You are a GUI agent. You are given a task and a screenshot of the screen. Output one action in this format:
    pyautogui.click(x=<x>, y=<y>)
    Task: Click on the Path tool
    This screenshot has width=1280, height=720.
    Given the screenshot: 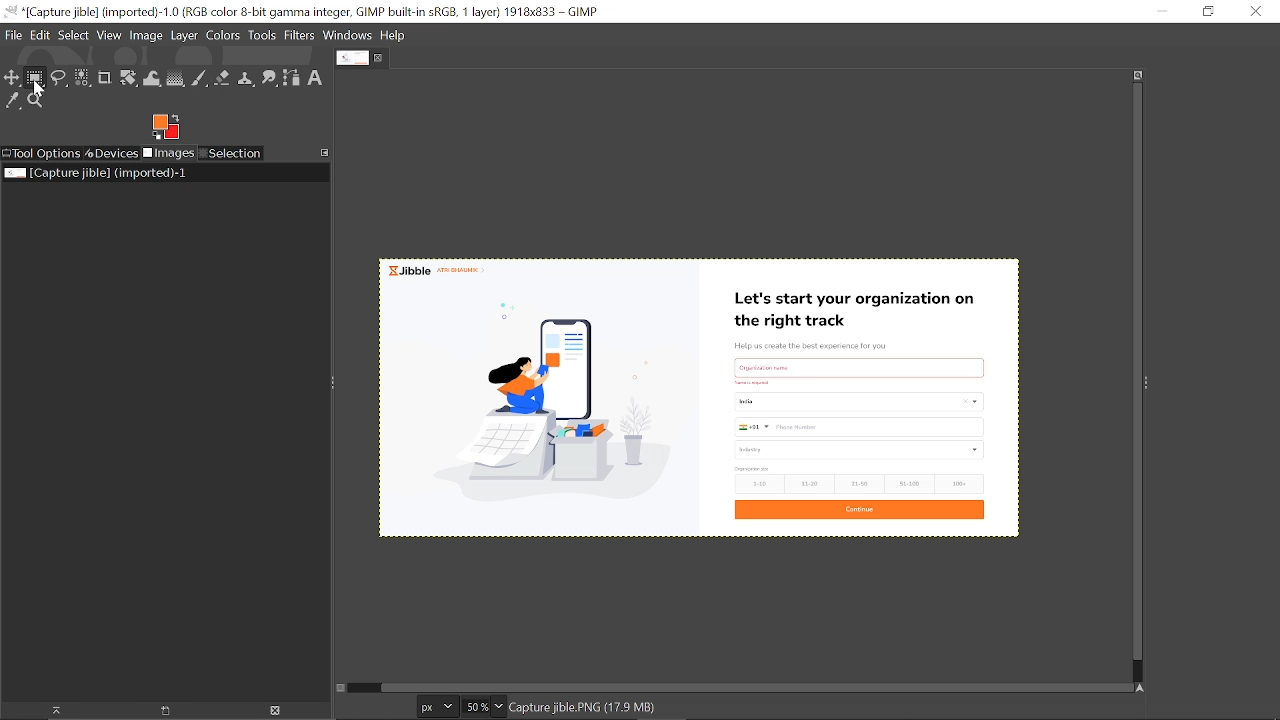 What is the action you would take?
    pyautogui.click(x=293, y=78)
    